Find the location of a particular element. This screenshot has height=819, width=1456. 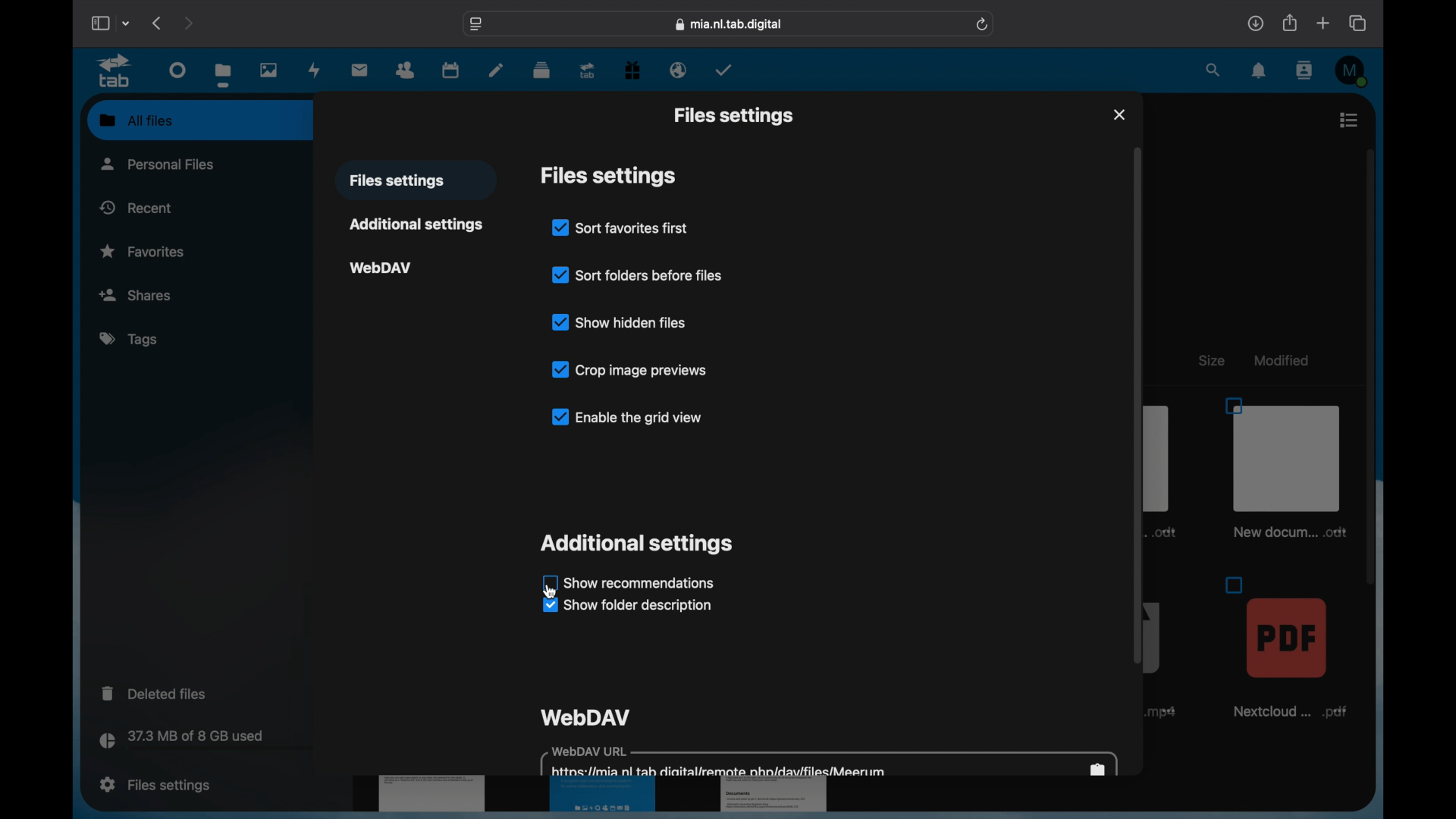

new tab is located at coordinates (1323, 23).